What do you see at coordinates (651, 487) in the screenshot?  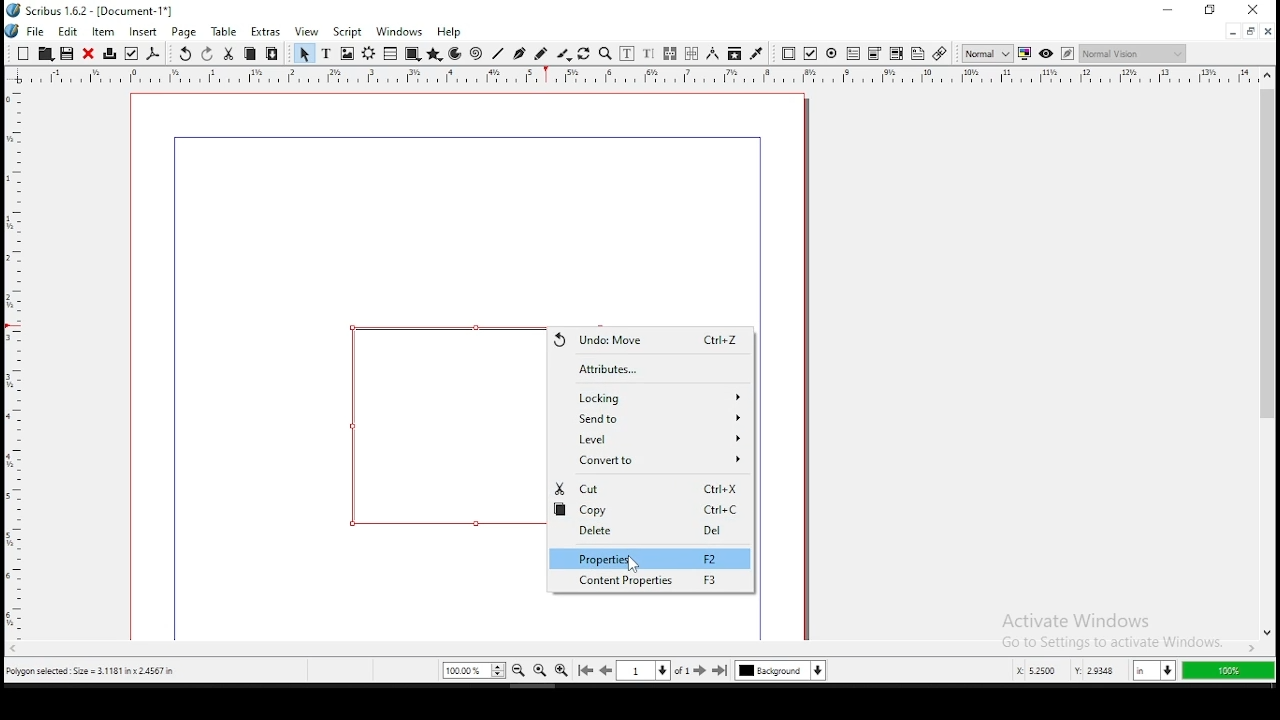 I see `cut` at bounding box center [651, 487].